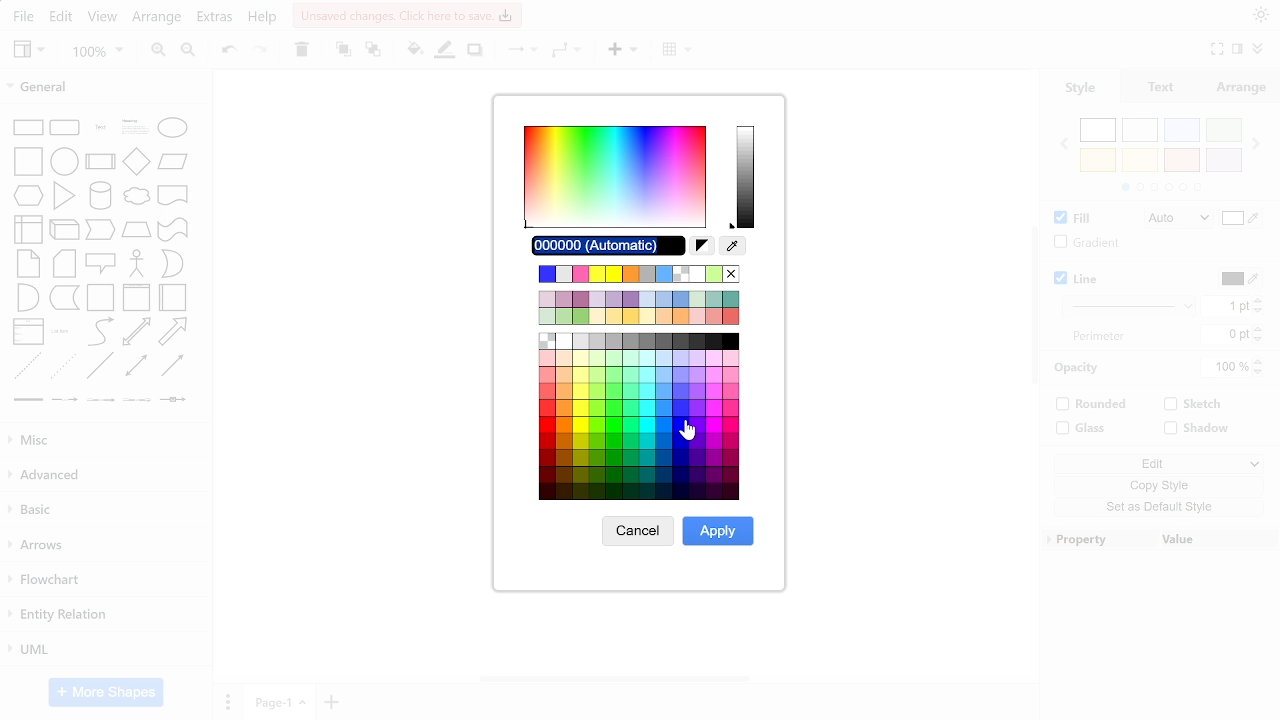 The height and width of the screenshot is (720, 1280). Describe the element at coordinates (406, 15) in the screenshot. I see `unsaved changes. Click here to save` at that location.